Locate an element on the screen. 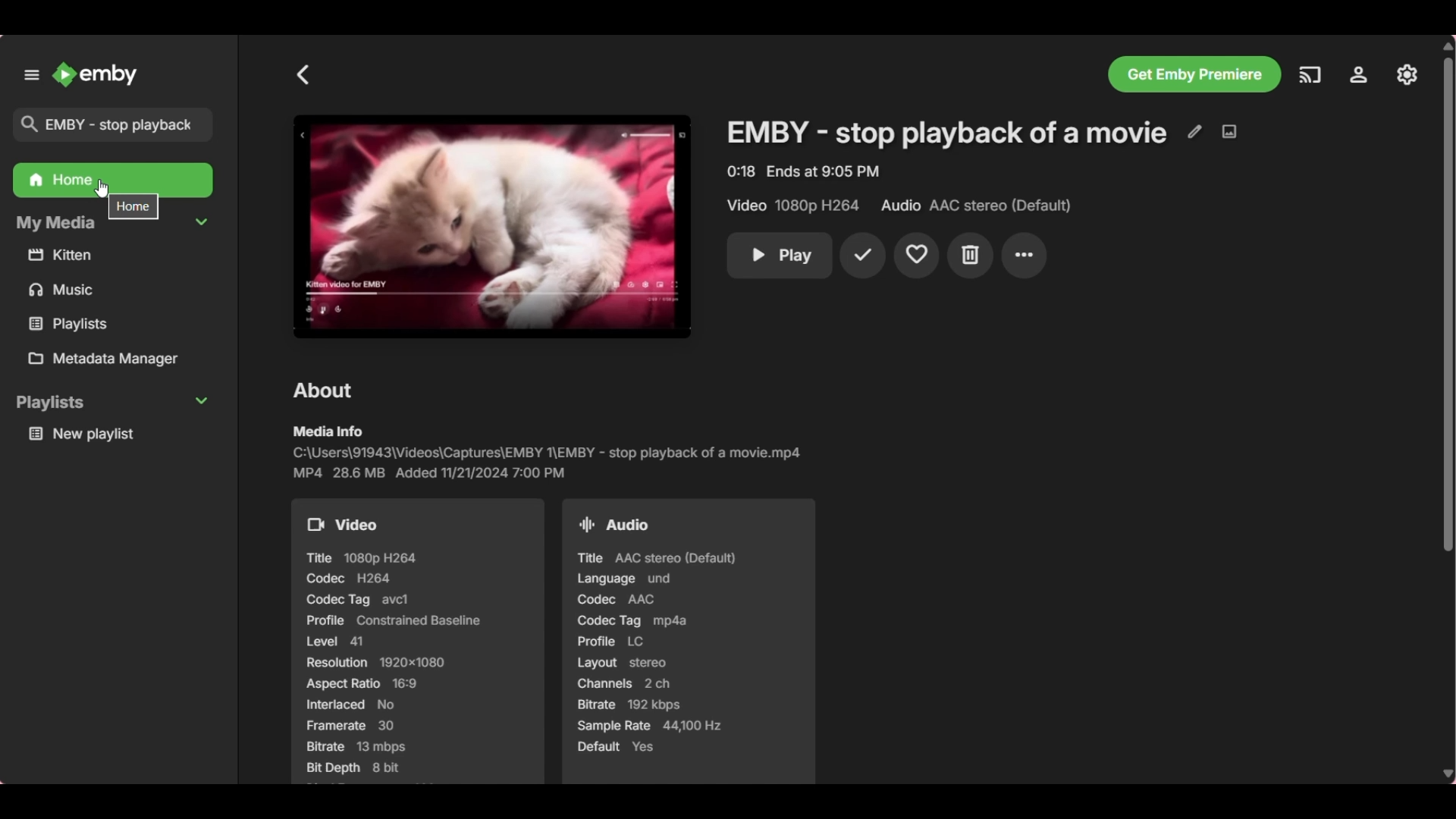 The image size is (1456, 819). Movie preview is located at coordinates (491, 227).